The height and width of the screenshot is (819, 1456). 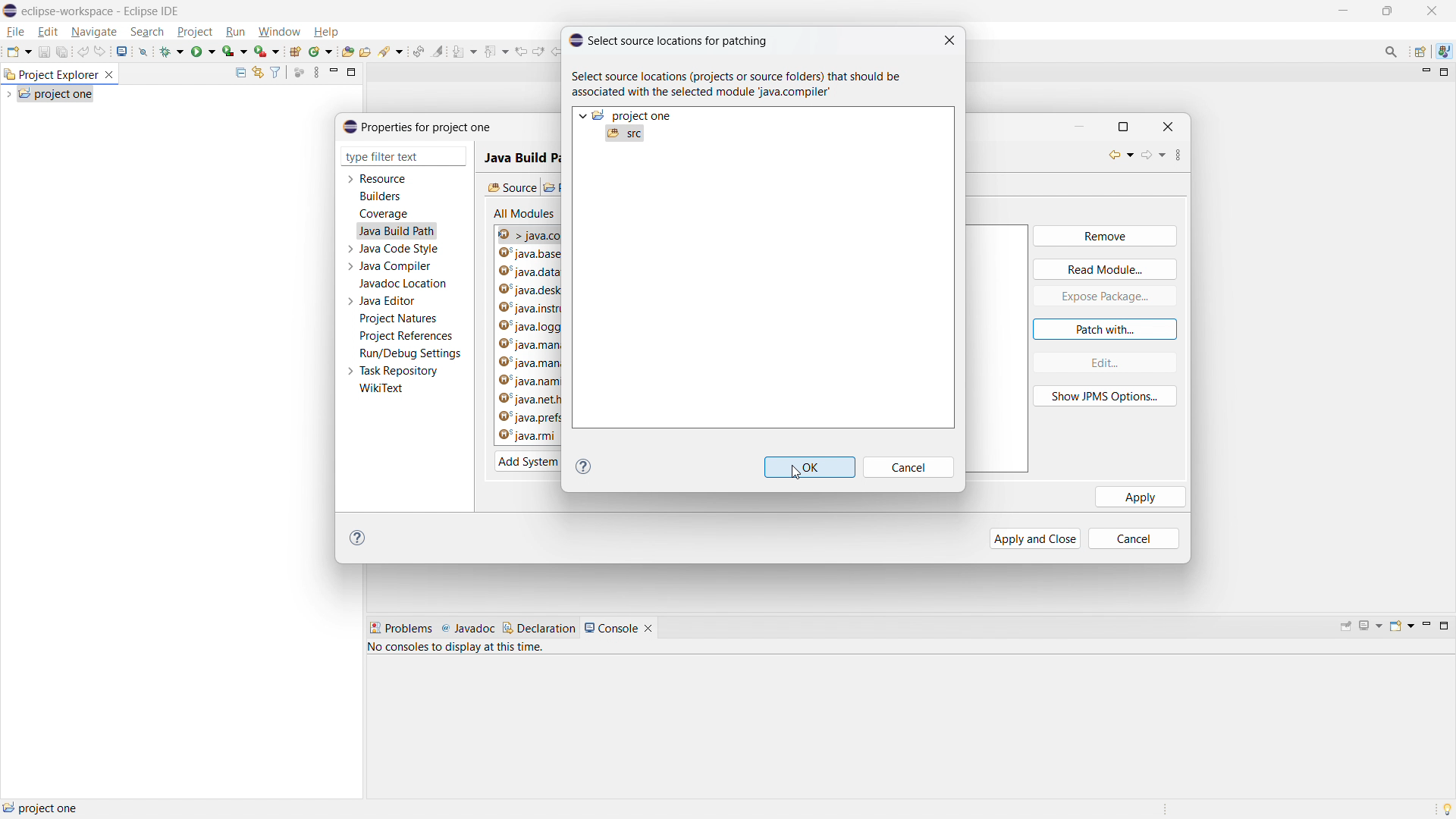 What do you see at coordinates (123, 52) in the screenshot?
I see `open console` at bounding box center [123, 52].